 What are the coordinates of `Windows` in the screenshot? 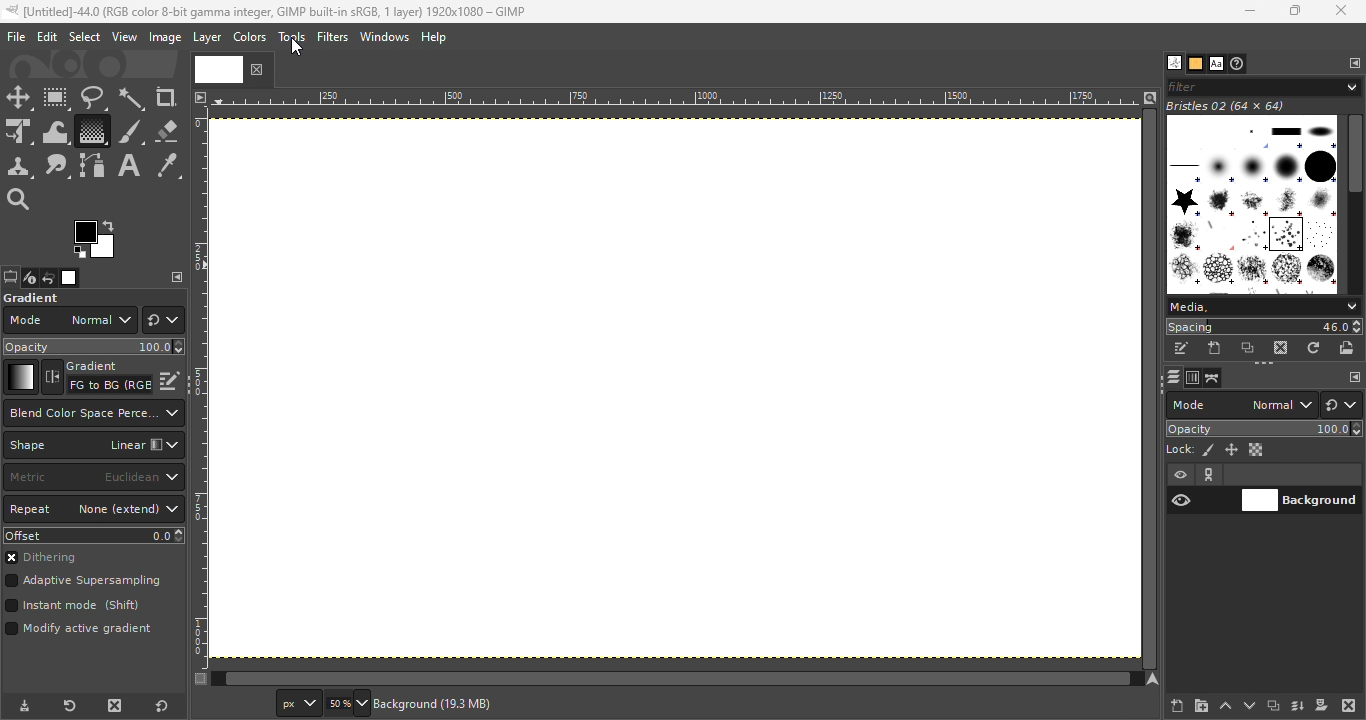 It's located at (384, 37).